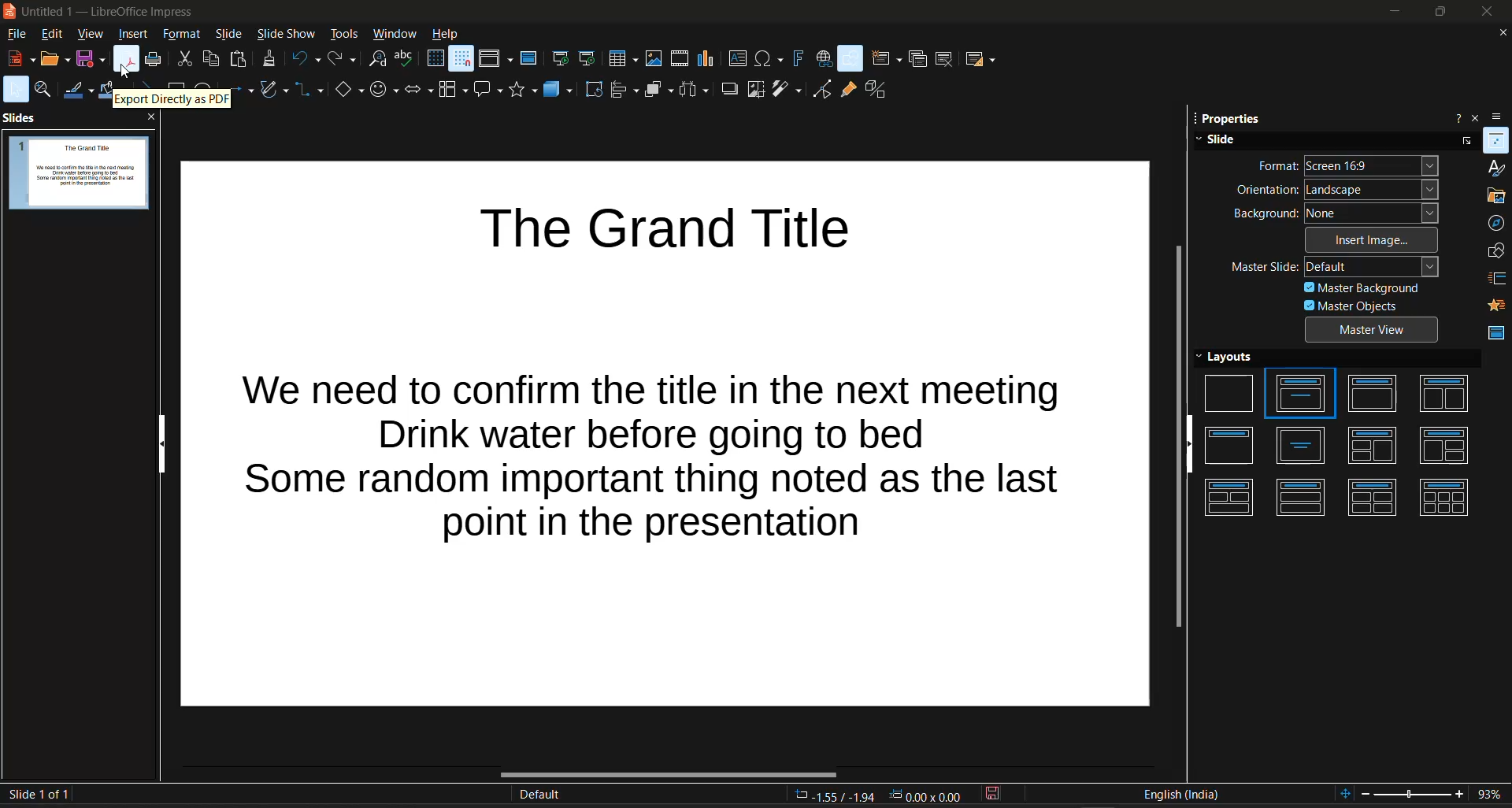  Describe the element at coordinates (994, 796) in the screenshot. I see `click to save` at that location.